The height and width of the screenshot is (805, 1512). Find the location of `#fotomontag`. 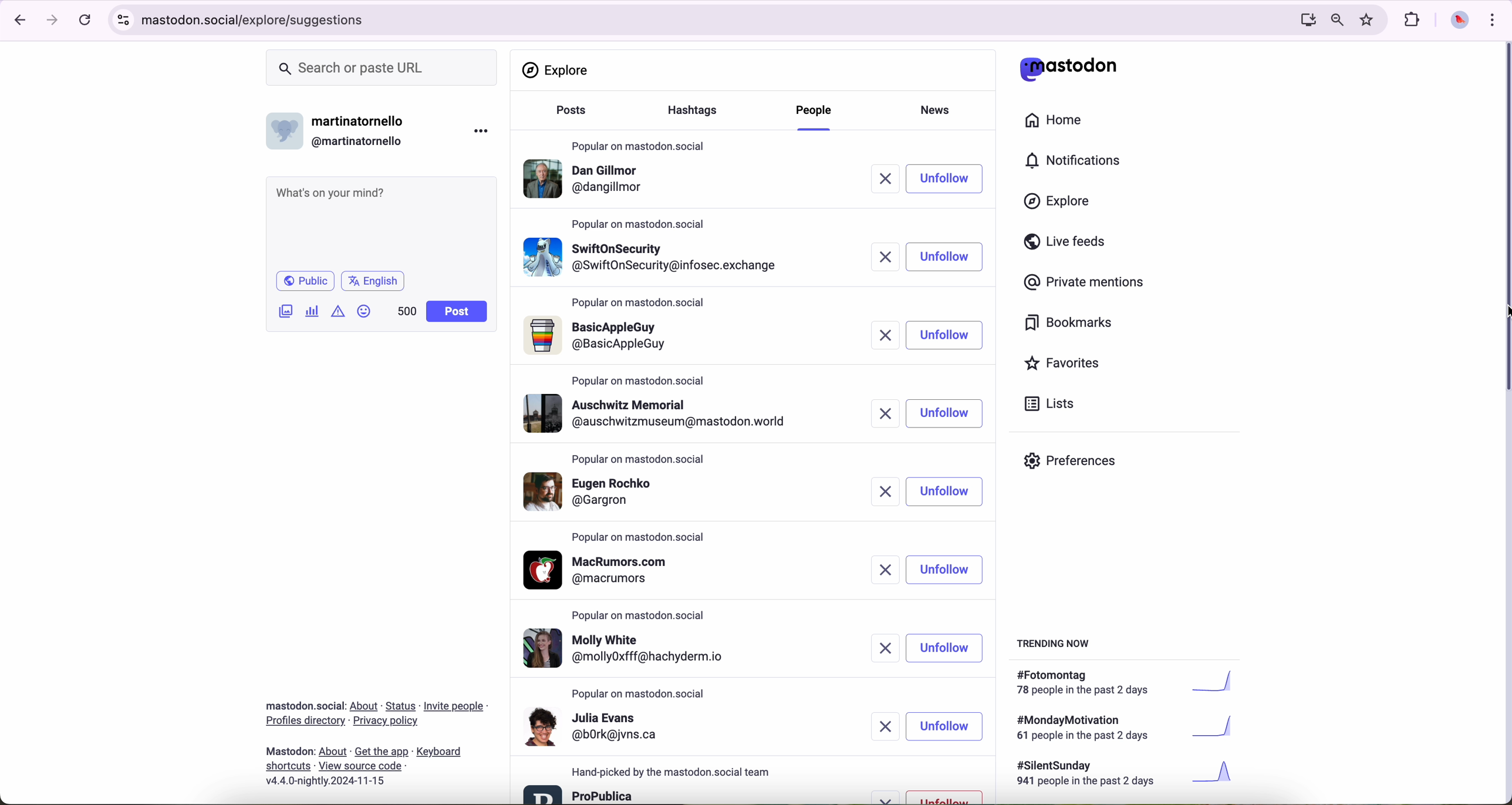

#fotomontag is located at coordinates (1133, 683).